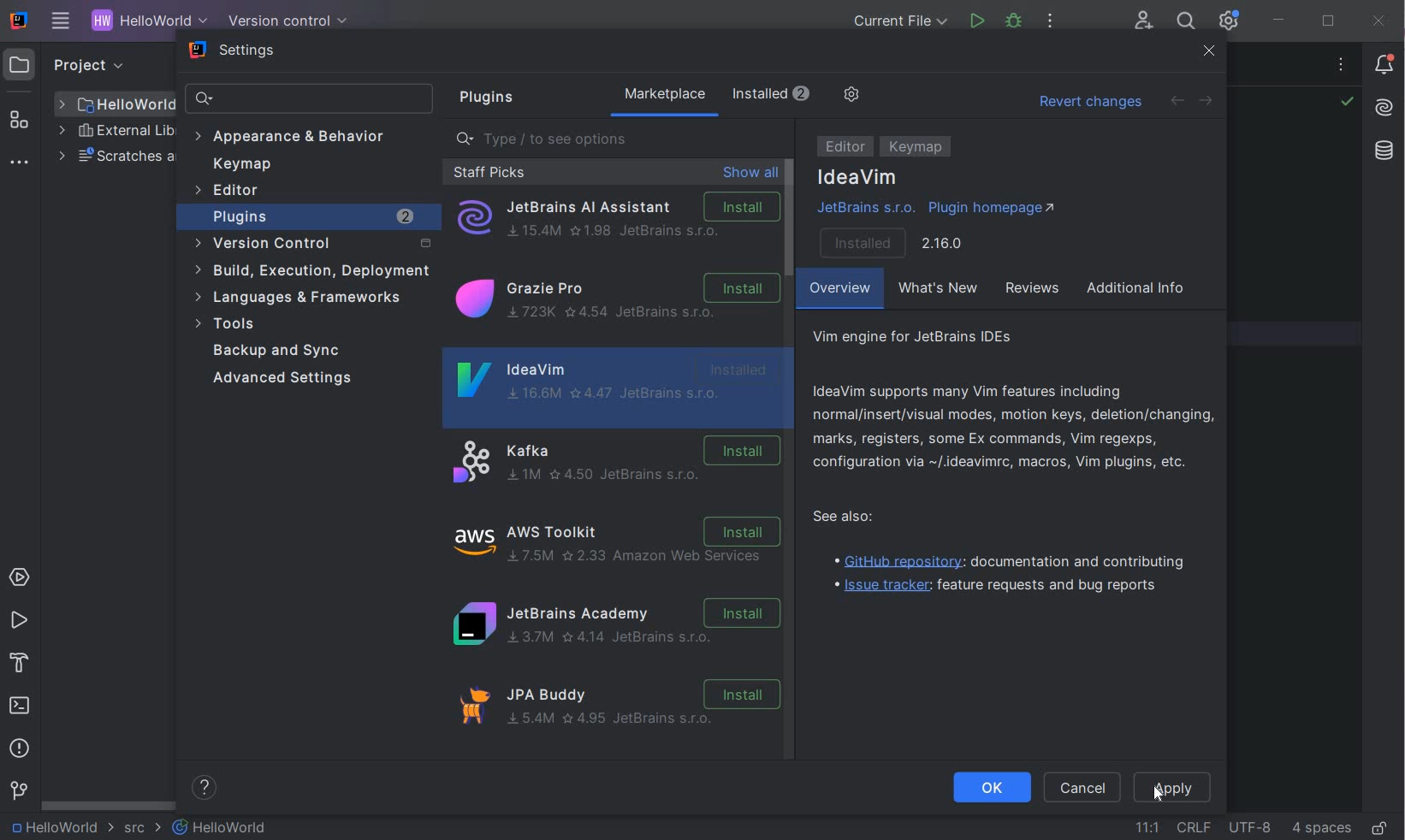  I want to click on JetBrains ACADEMY Installation, so click(614, 625).